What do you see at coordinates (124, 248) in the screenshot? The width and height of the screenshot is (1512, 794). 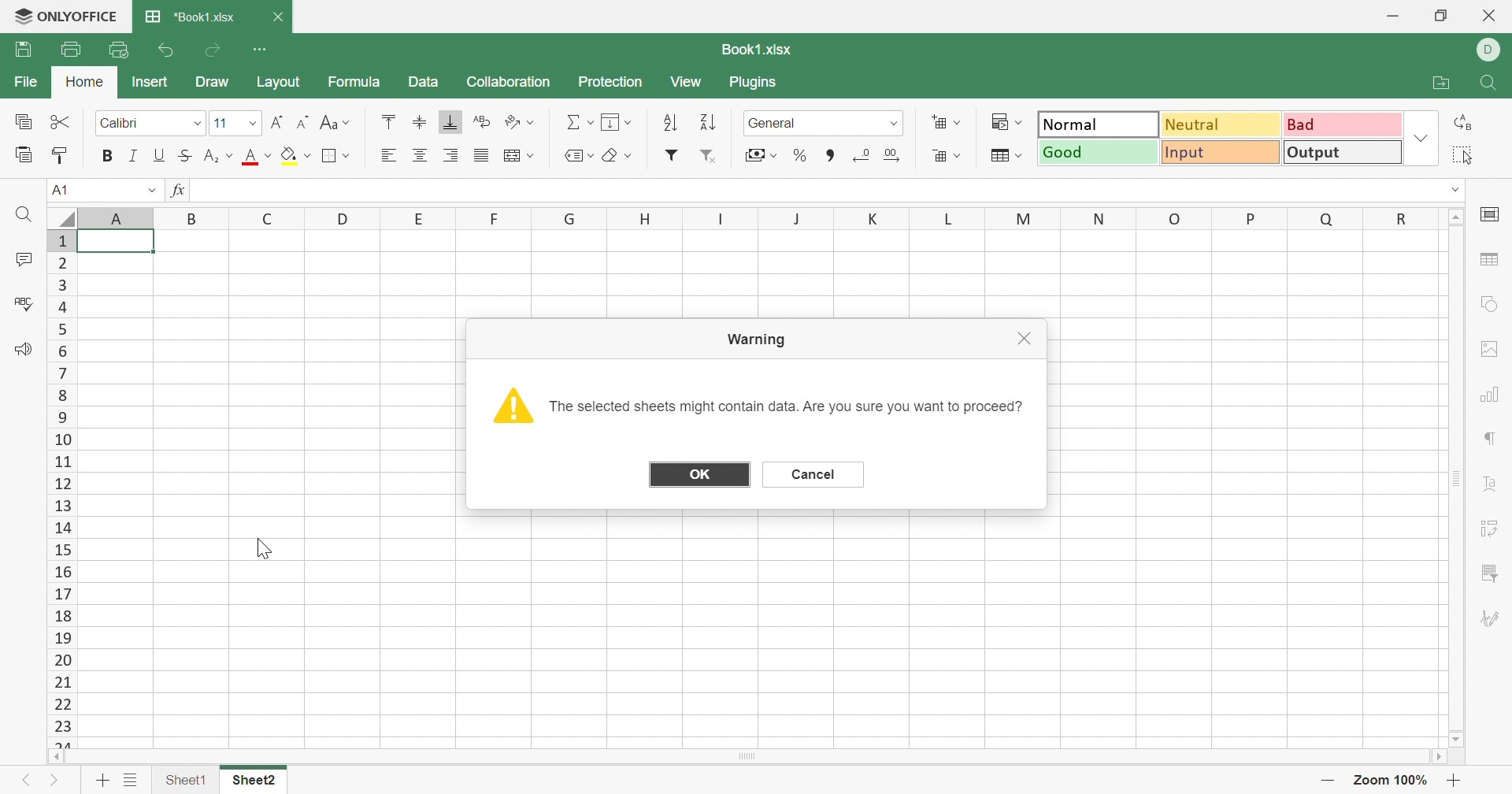 I see `Cell A1 highlighted` at bounding box center [124, 248].